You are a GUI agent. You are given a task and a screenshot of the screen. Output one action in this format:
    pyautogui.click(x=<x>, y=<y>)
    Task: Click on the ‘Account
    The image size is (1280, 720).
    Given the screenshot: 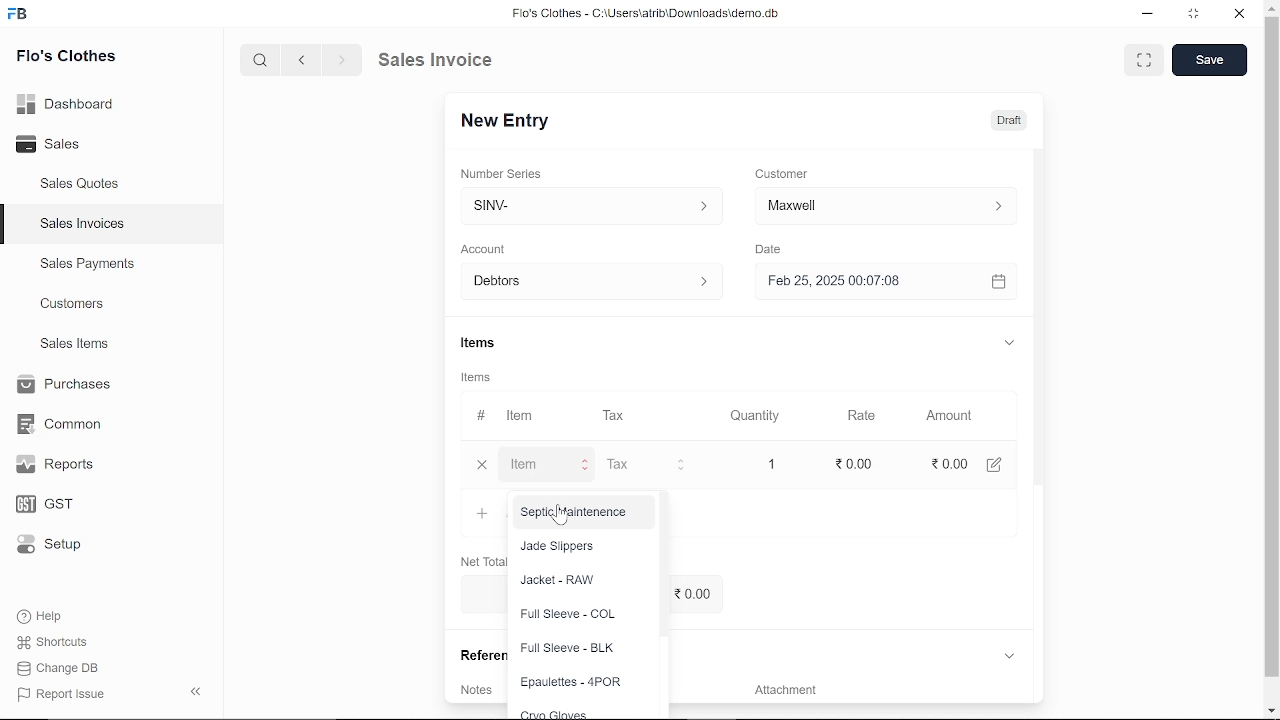 What is the action you would take?
    pyautogui.click(x=491, y=248)
    